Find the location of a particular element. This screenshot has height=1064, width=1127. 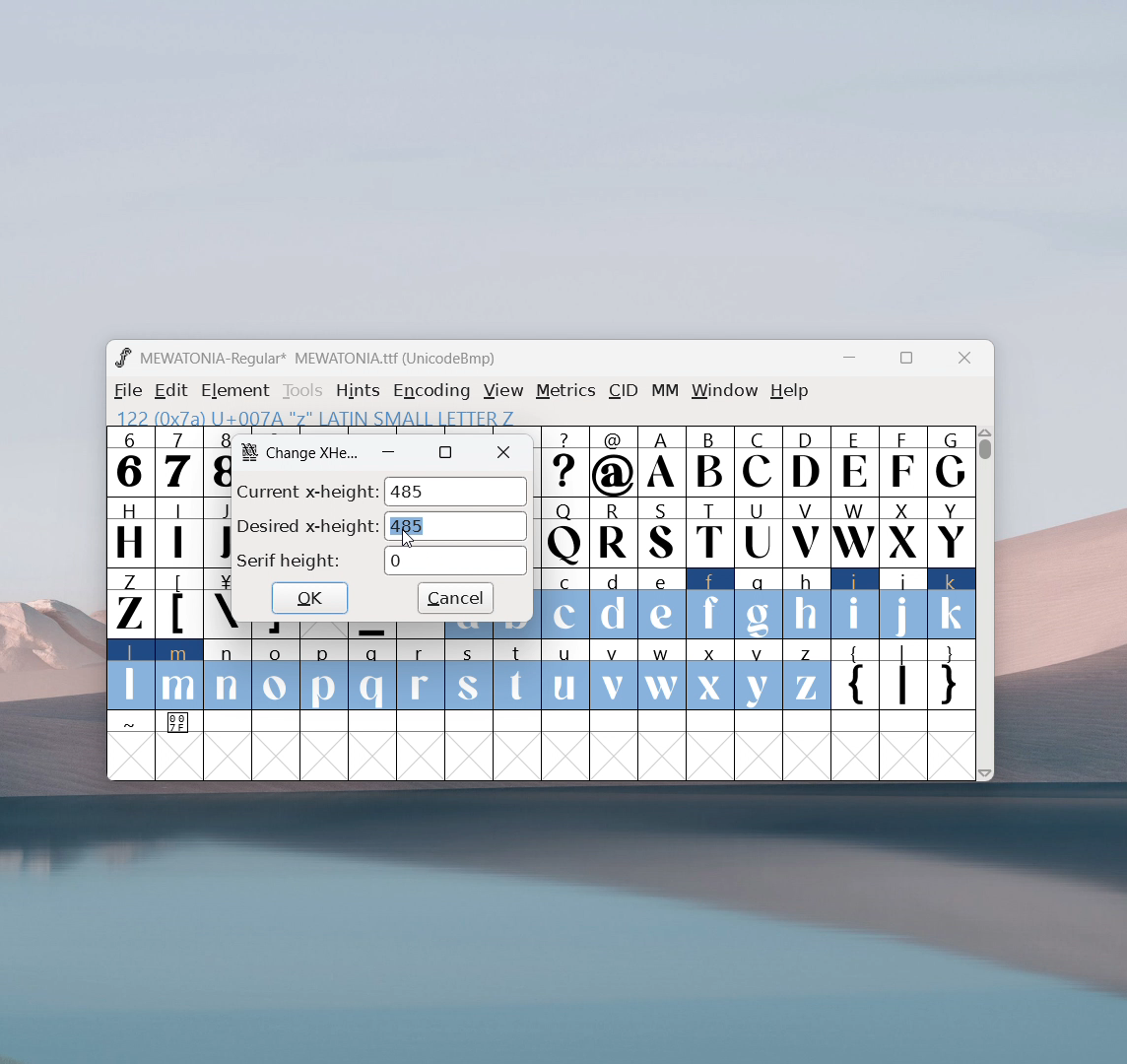

485 is located at coordinates (455, 492).